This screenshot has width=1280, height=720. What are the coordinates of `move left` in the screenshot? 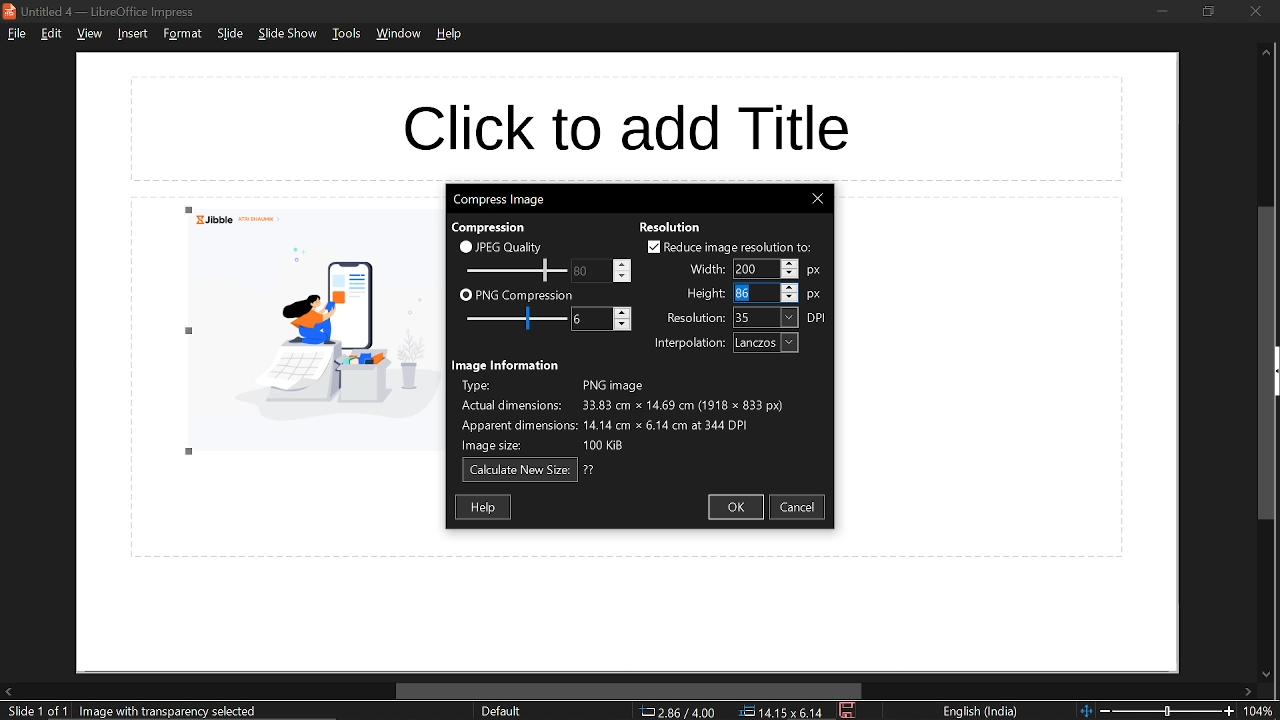 It's located at (8, 691).